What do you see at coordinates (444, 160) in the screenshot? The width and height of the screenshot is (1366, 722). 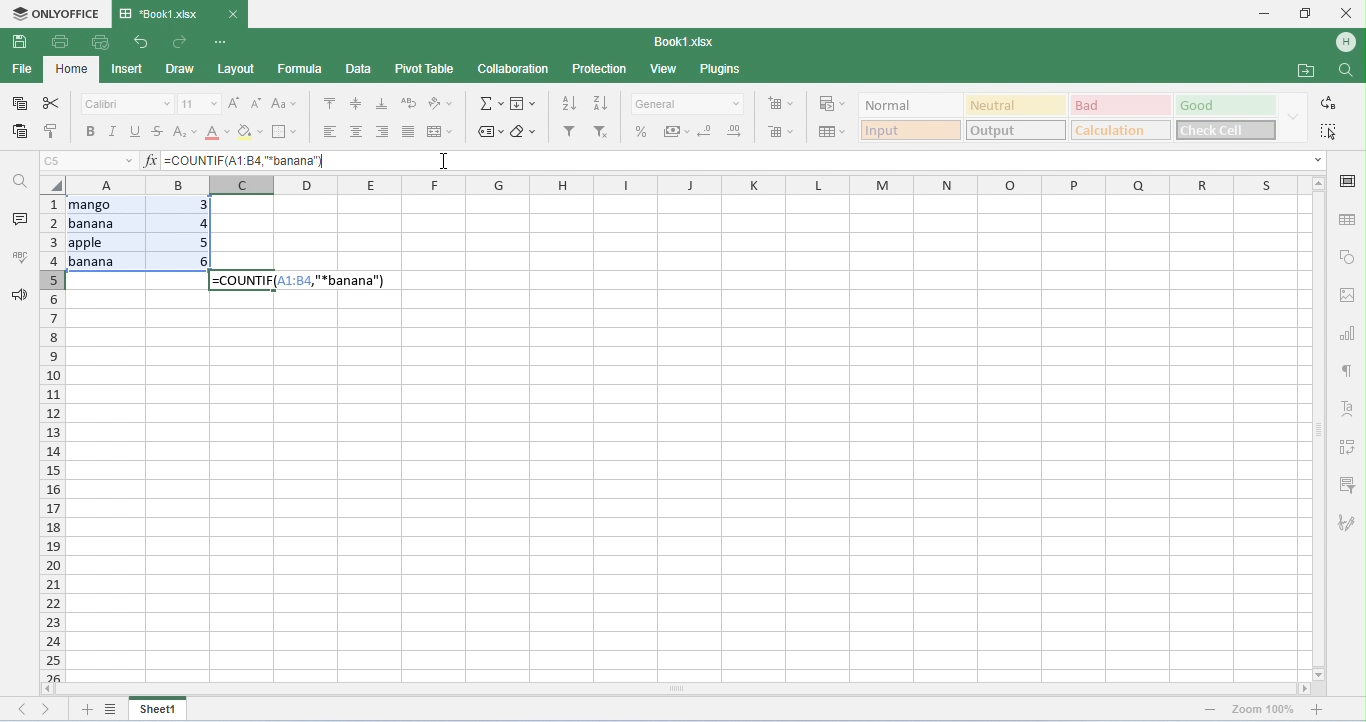 I see `cursor` at bounding box center [444, 160].